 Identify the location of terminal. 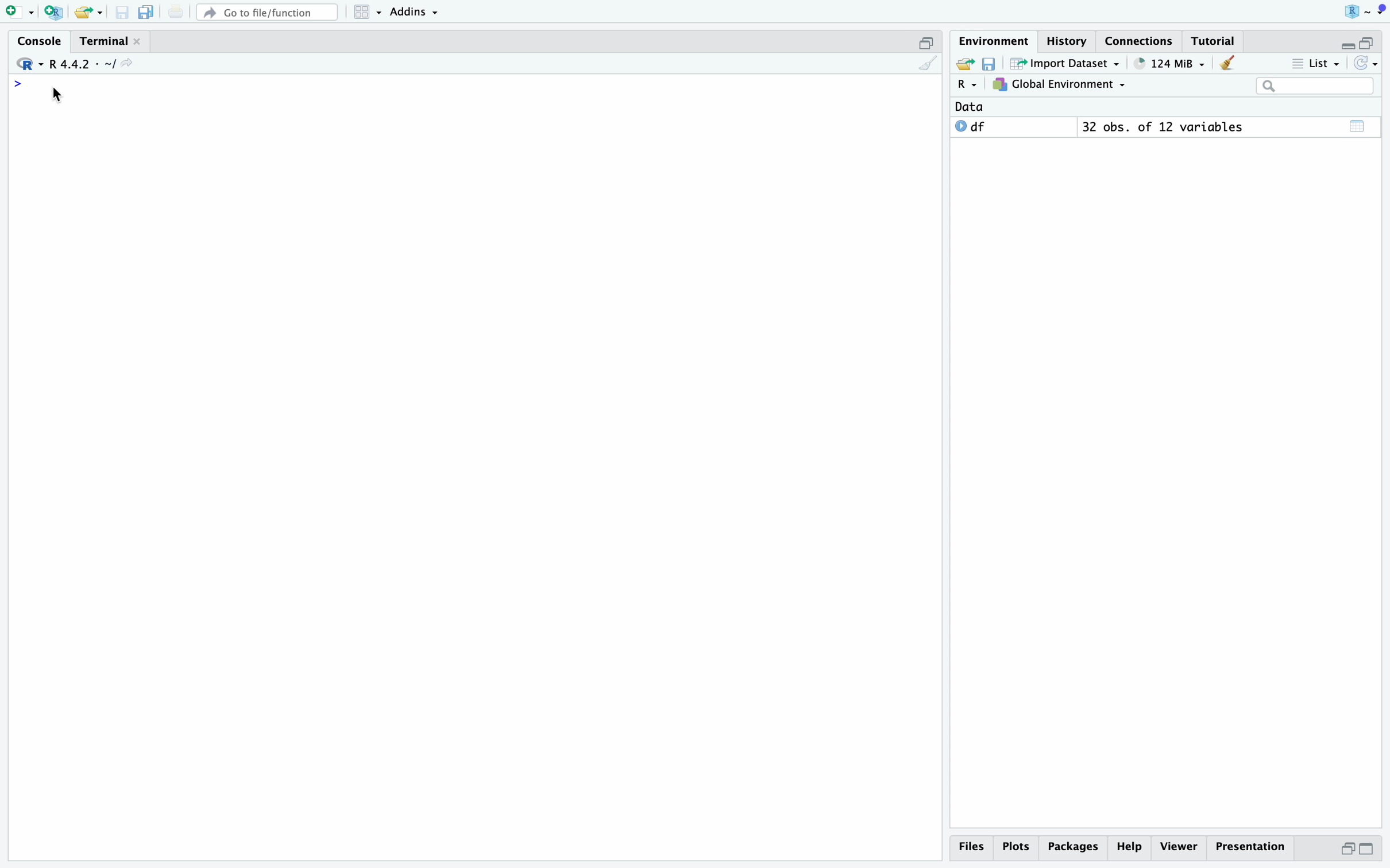
(104, 42).